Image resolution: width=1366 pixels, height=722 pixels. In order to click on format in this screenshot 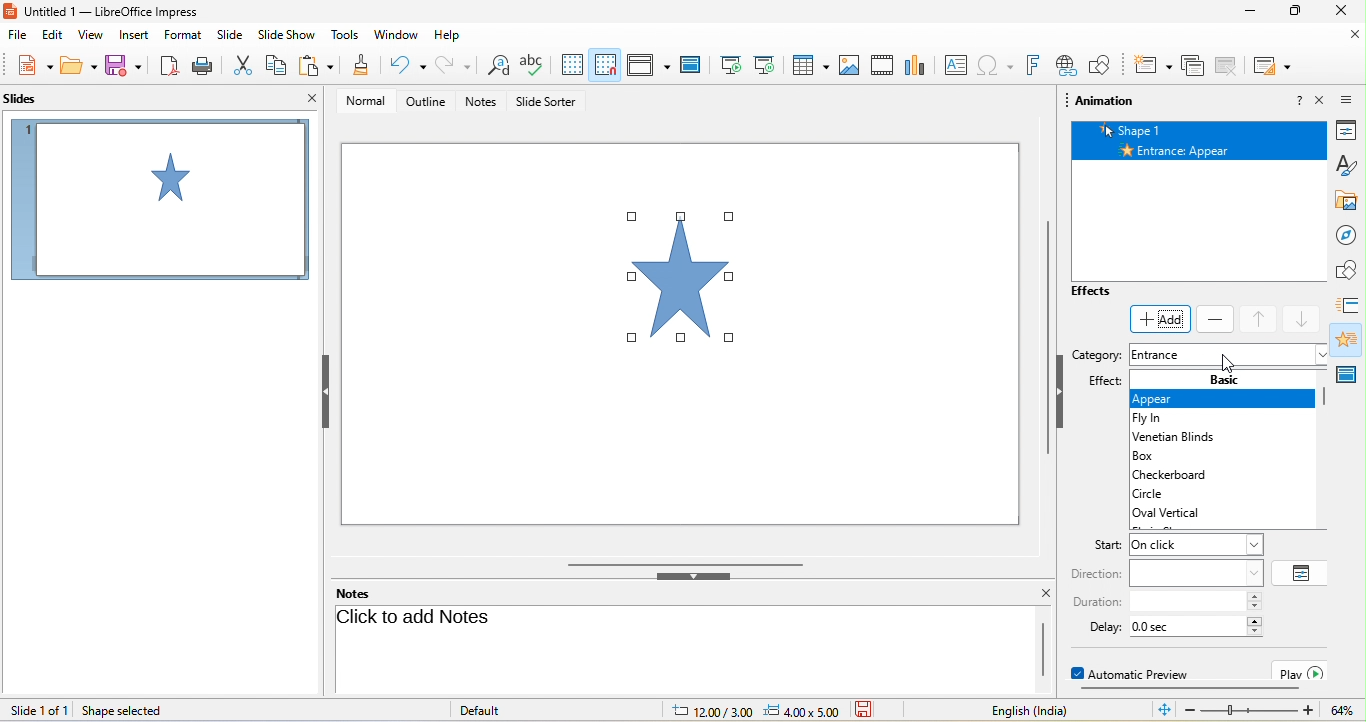, I will do `click(183, 35)`.